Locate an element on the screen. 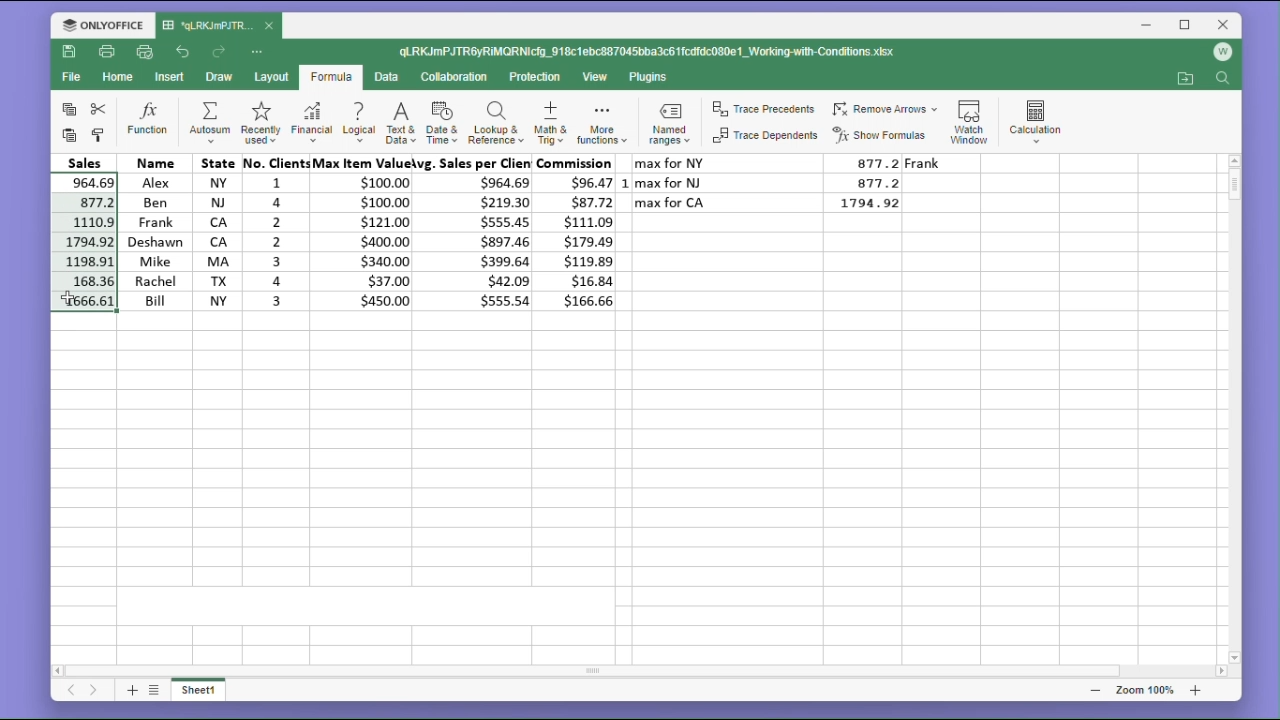  data is located at coordinates (390, 77).